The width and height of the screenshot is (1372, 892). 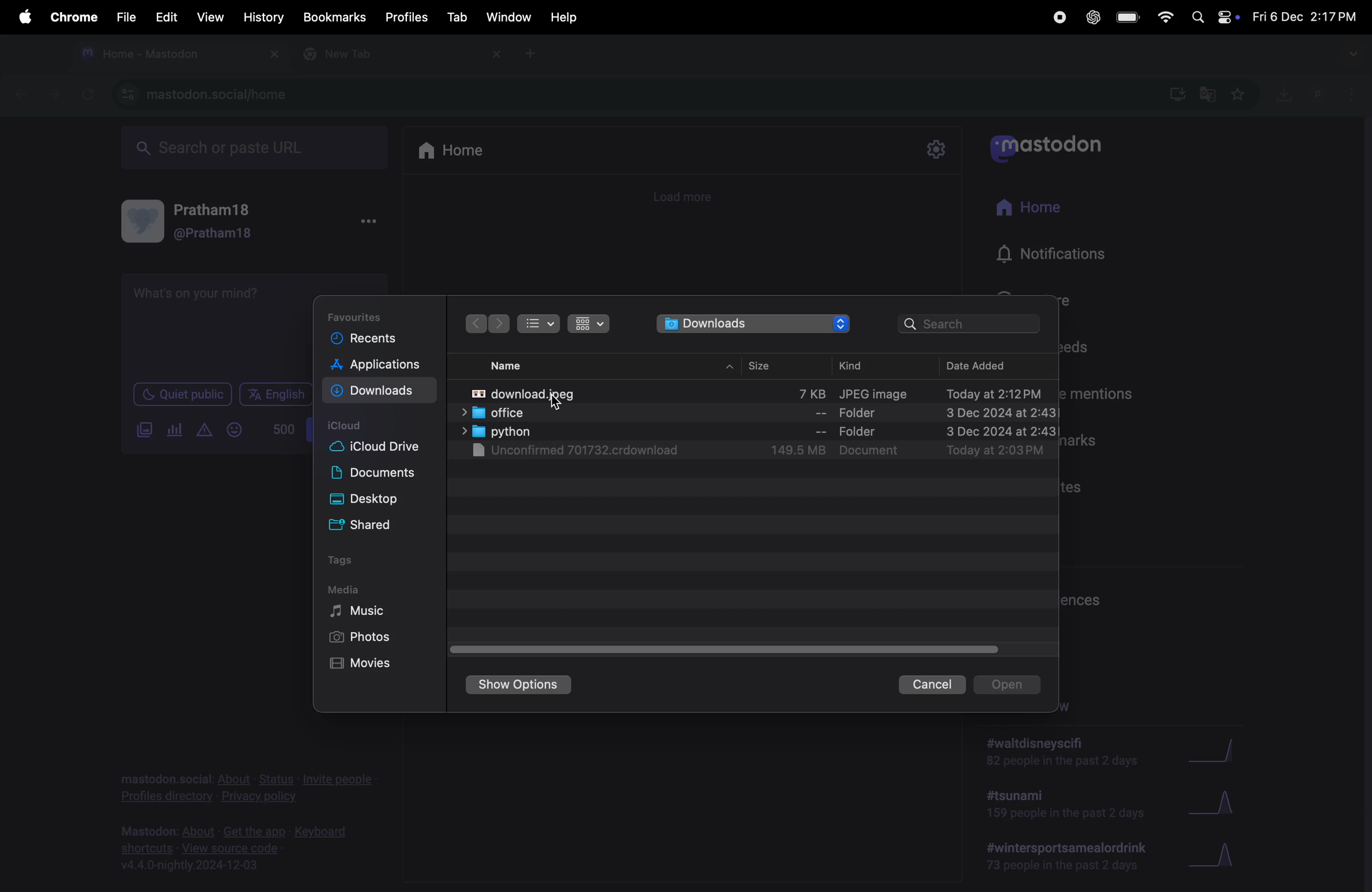 I want to click on Quiet public, so click(x=181, y=395).